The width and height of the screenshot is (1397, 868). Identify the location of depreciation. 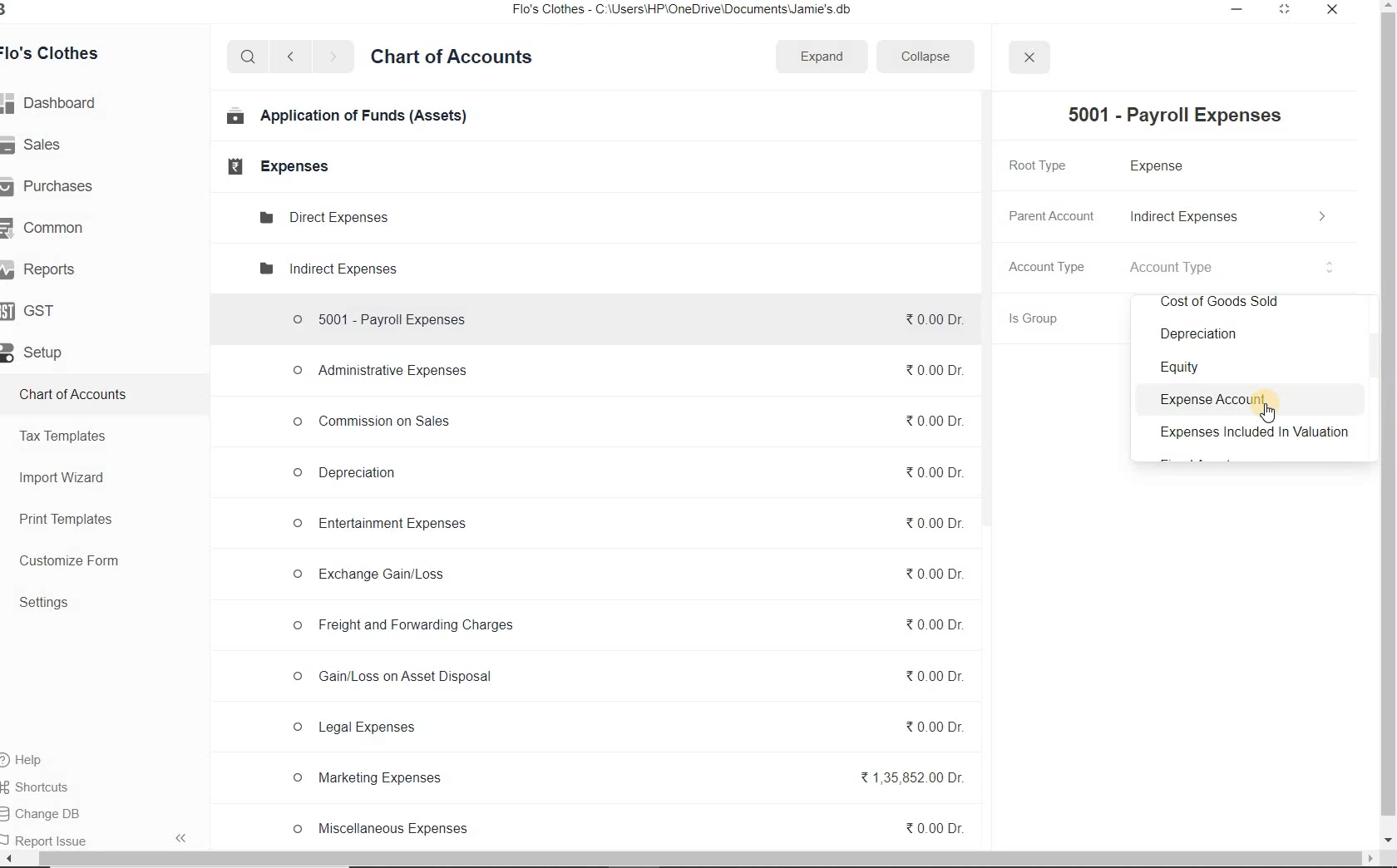
(1195, 335).